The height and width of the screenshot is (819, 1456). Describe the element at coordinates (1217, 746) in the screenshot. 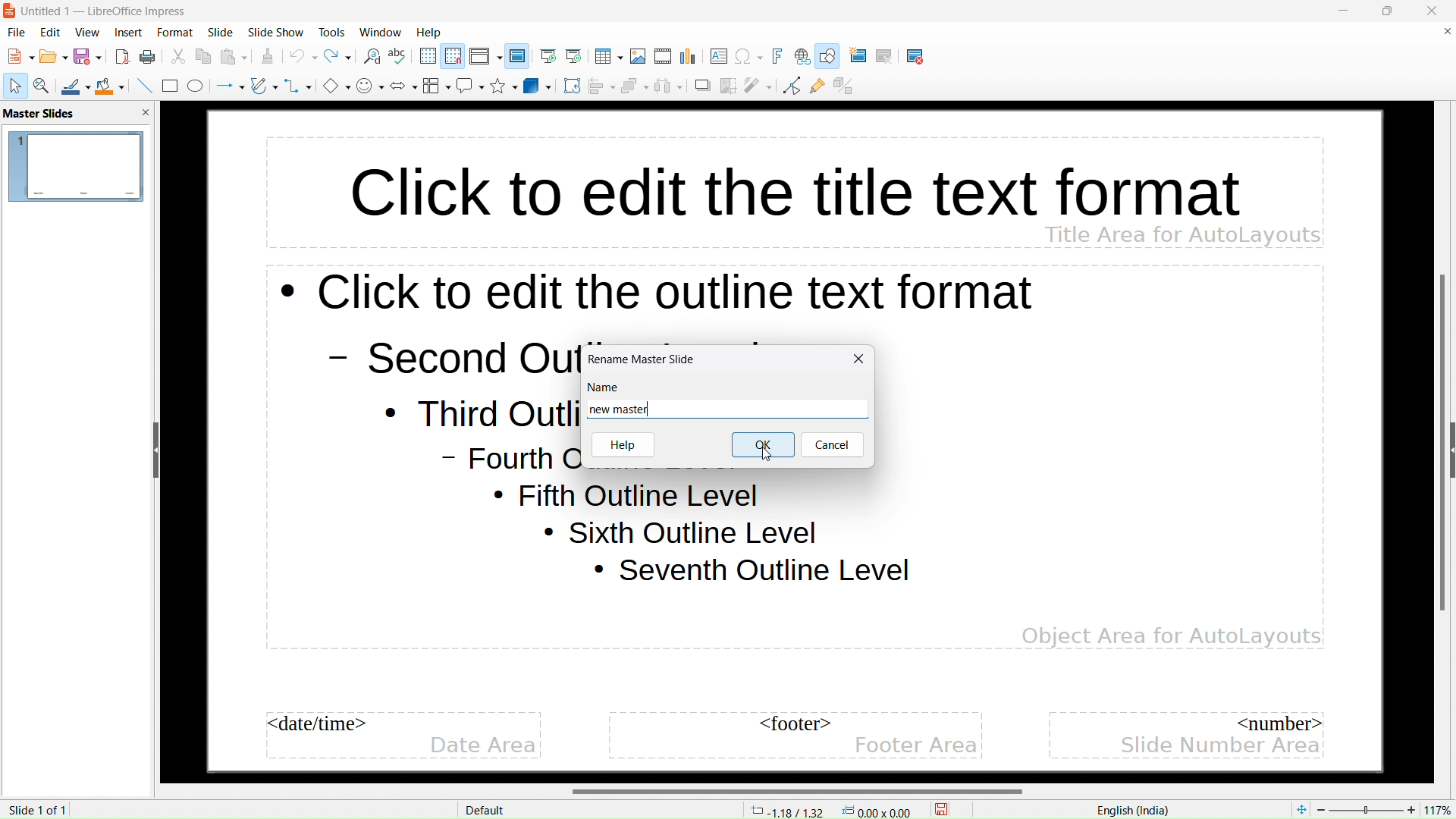

I see `slide number area` at that location.